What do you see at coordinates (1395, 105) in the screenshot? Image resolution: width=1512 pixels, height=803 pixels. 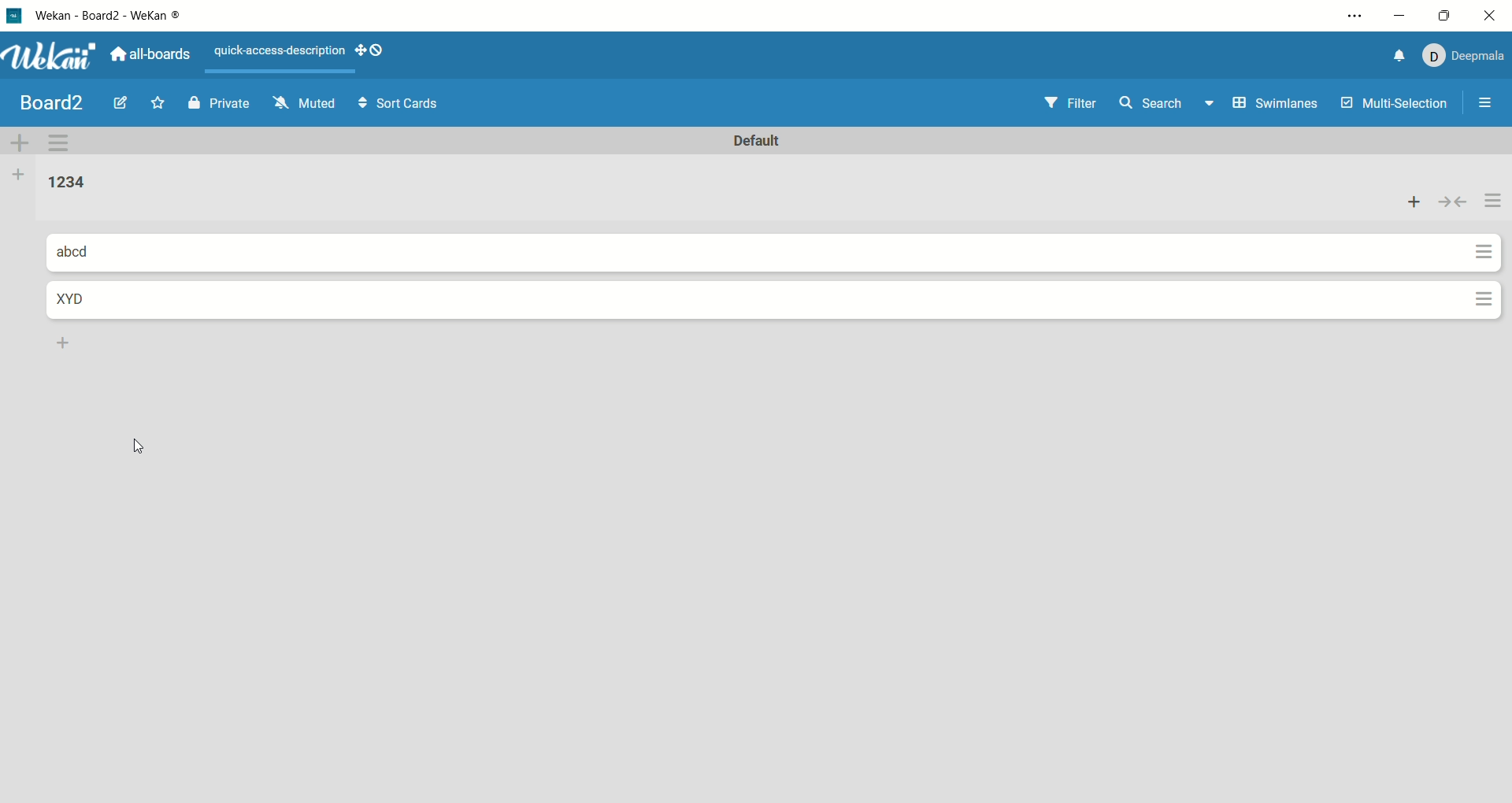 I see `multi-selection` at bounding box center [1395, 105].